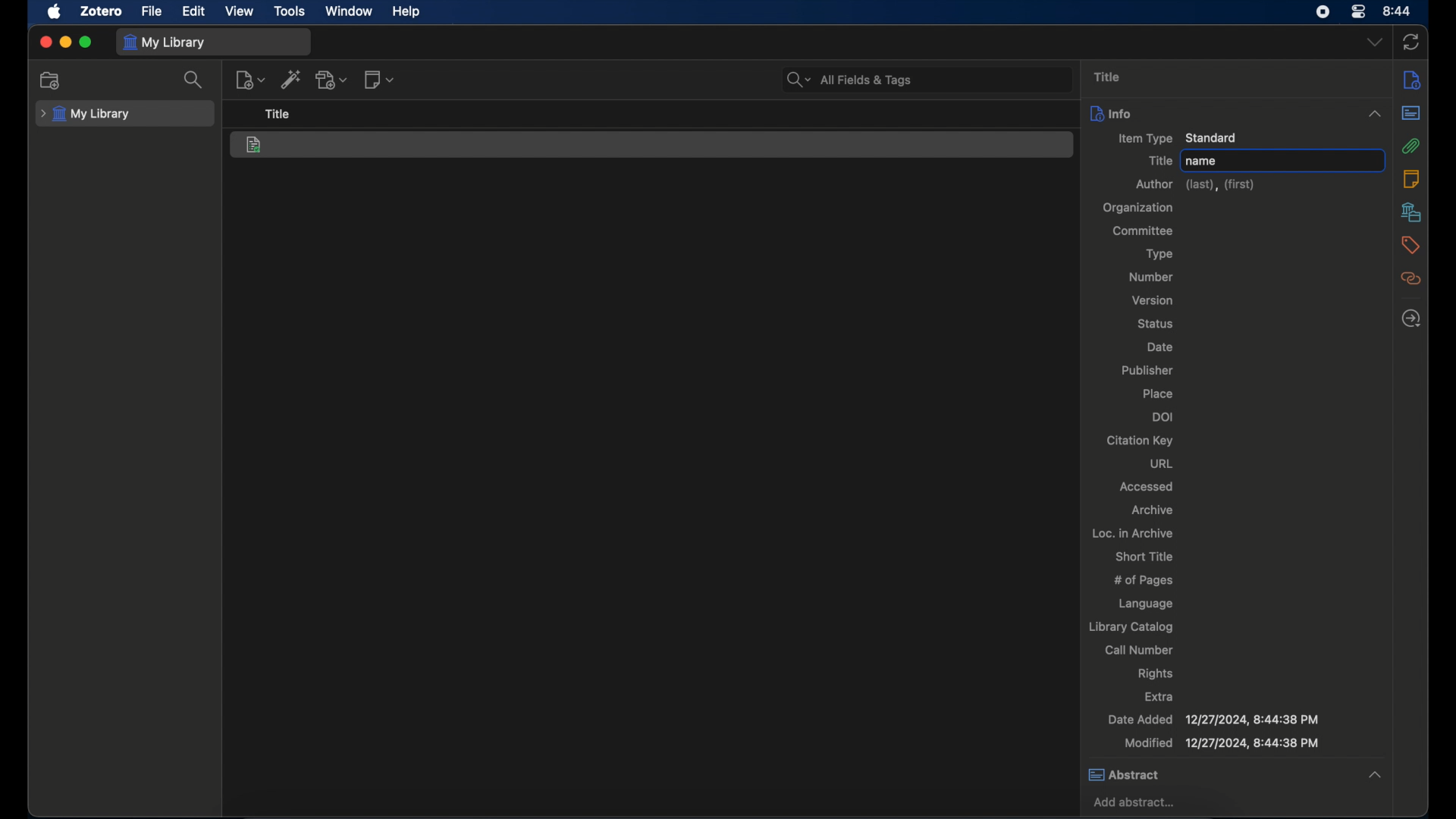 This screenshot has height=819, width=1456. What do you see at coordinates (55, 12) in the screenshot?
I see `apple` at bounding box center [55, 12].